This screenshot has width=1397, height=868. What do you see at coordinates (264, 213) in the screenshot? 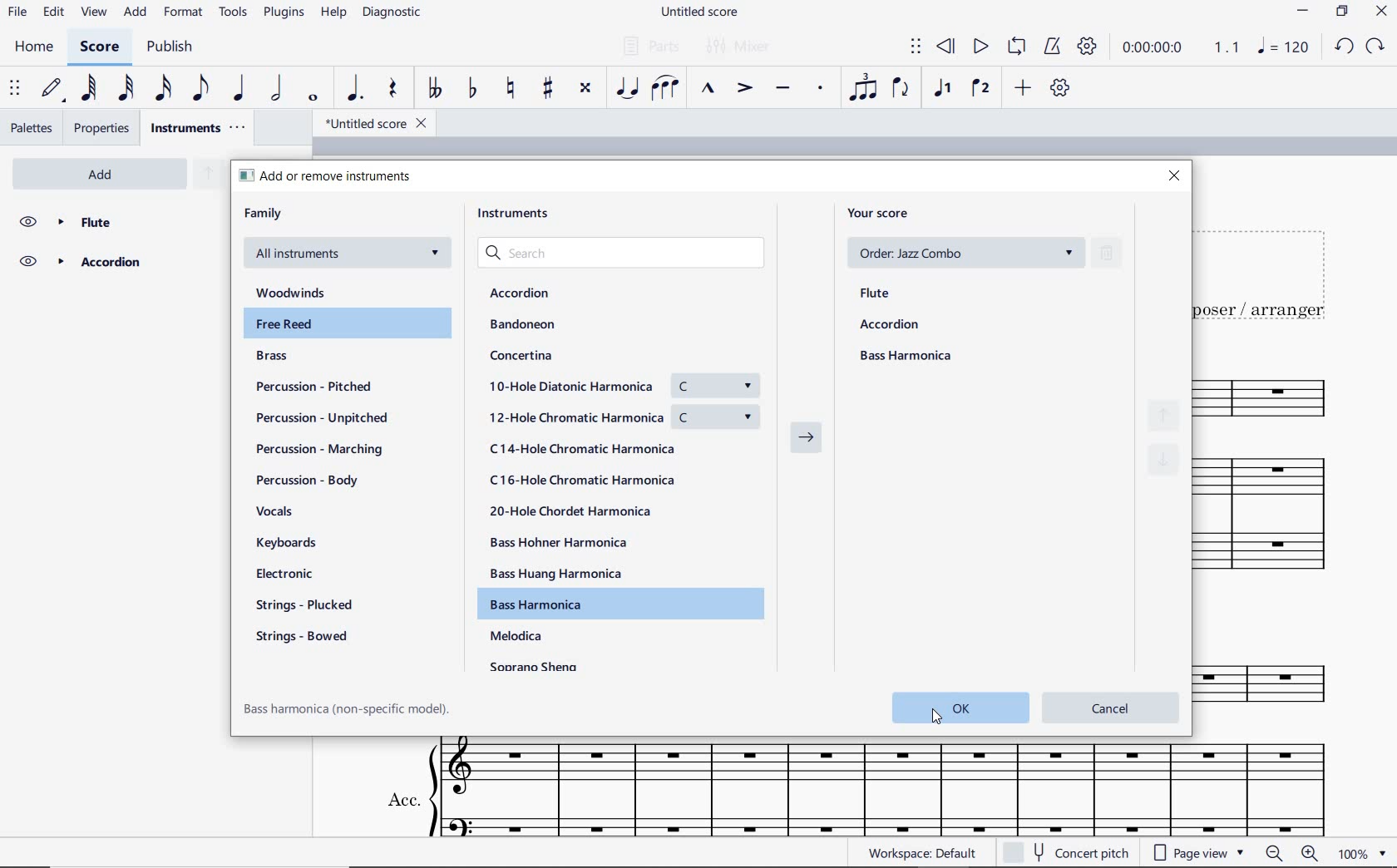
I see `family` at bounding box center [264, 213].